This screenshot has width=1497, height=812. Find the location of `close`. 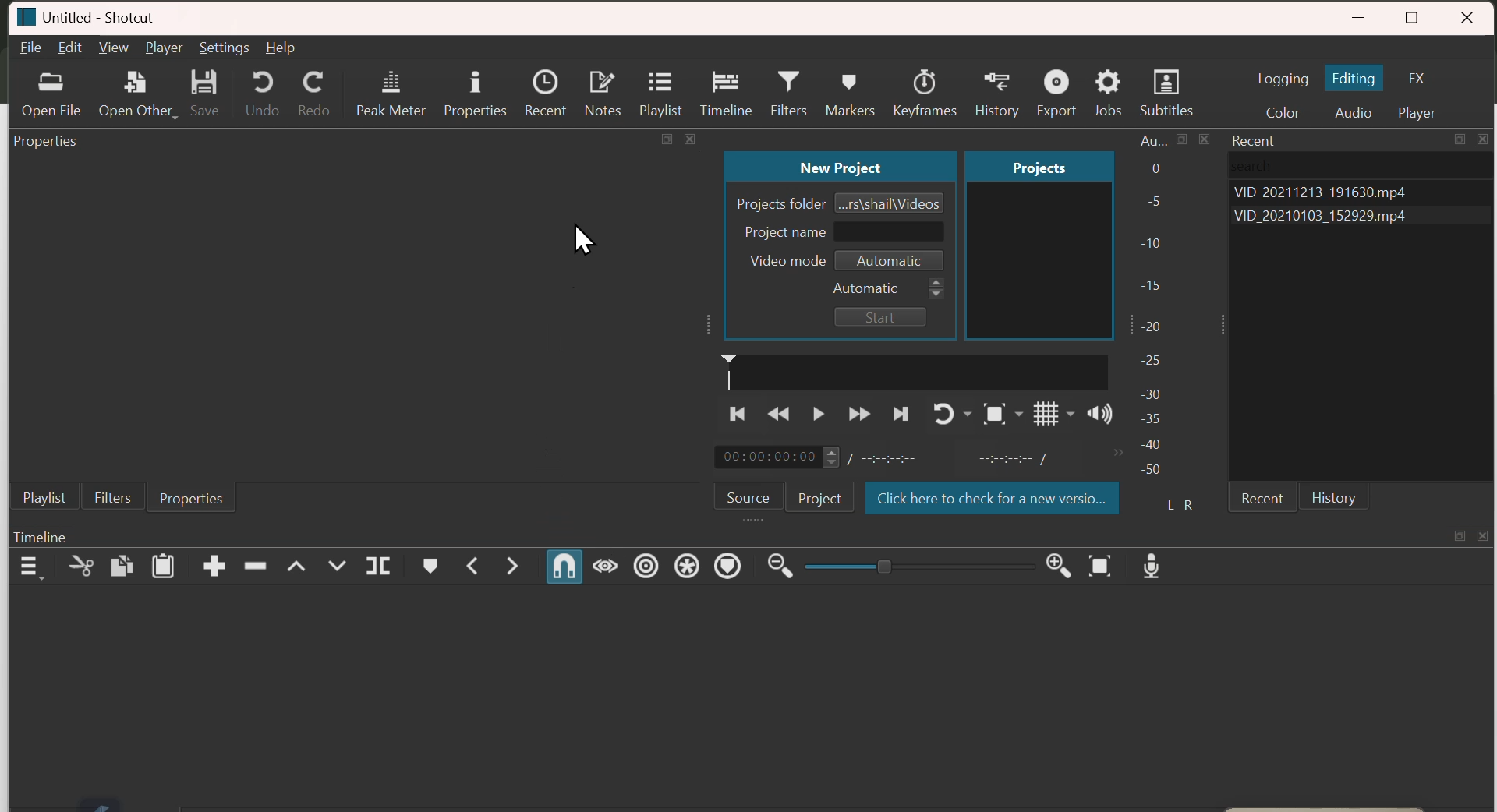

close is located at coordinates (1472, 13).